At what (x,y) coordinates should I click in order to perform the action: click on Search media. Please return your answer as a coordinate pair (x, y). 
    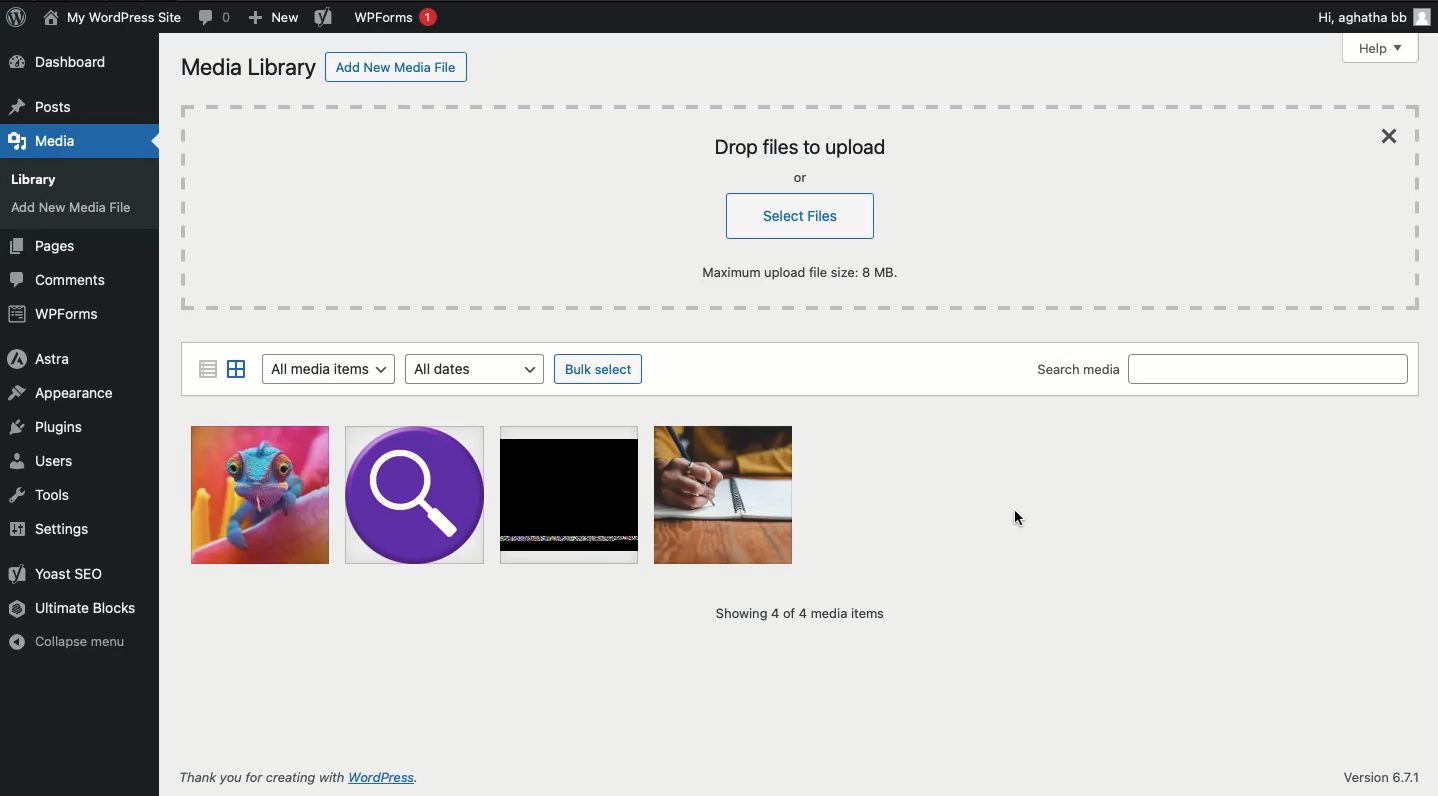
    Looking at the image, I should click on (1078, 371).